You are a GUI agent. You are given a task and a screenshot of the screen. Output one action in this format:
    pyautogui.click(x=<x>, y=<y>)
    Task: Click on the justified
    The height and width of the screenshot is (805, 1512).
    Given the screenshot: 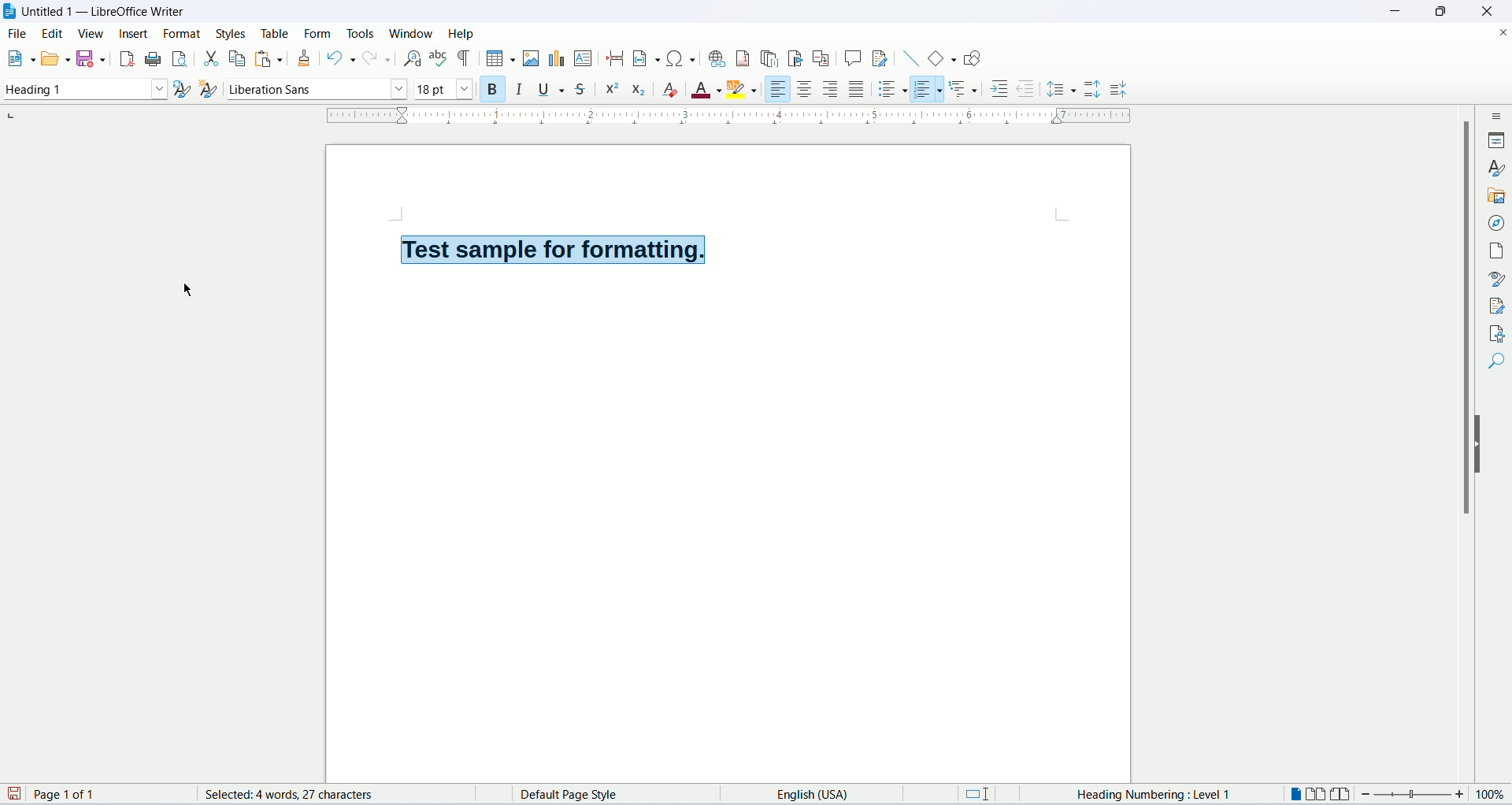 What is the action you would take?
    pyautogui.click(x=858, y=88)
    